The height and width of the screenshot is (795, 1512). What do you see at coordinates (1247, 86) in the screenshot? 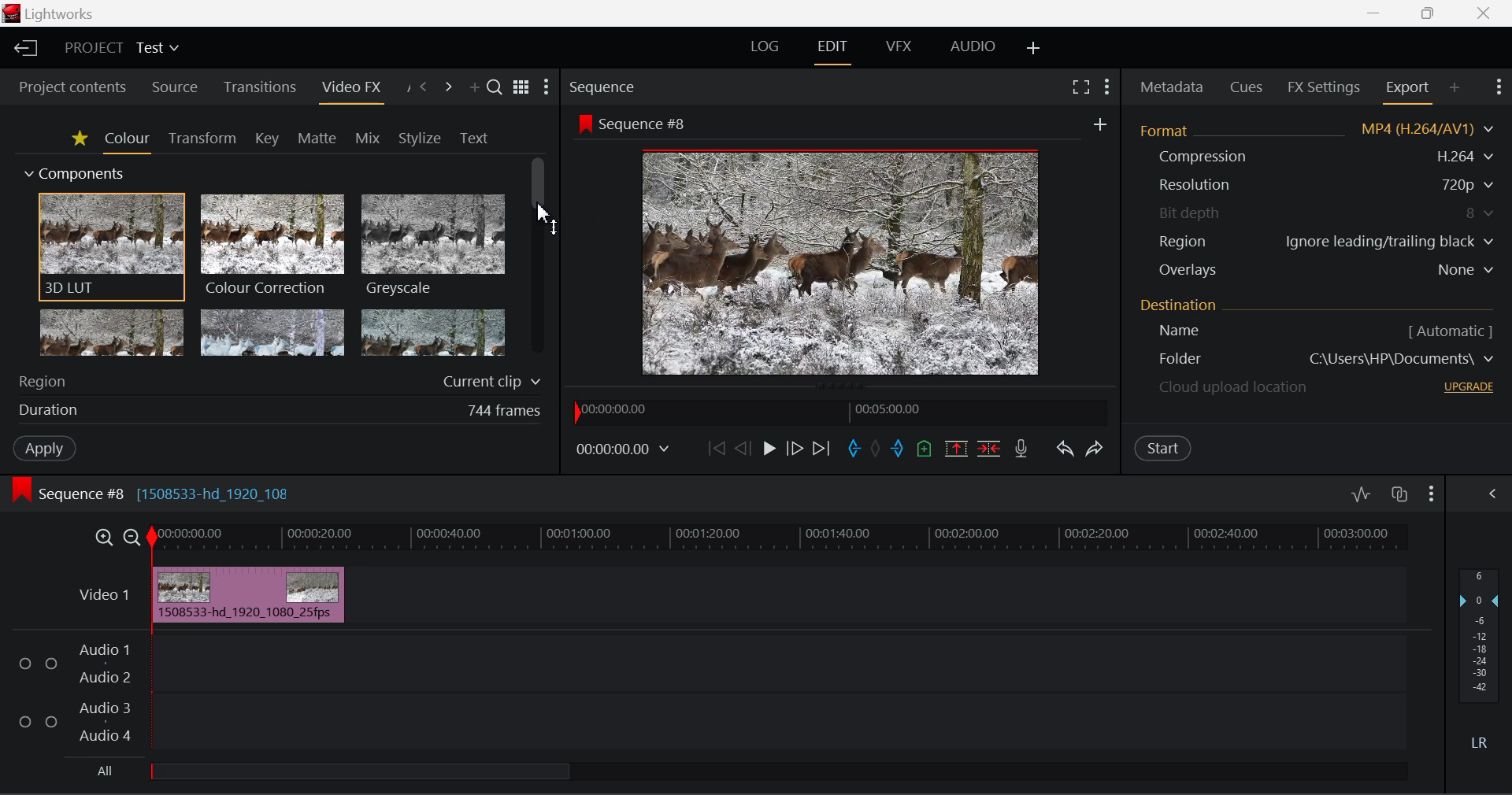
I see `Cues` at bounding box center [1247, 86].